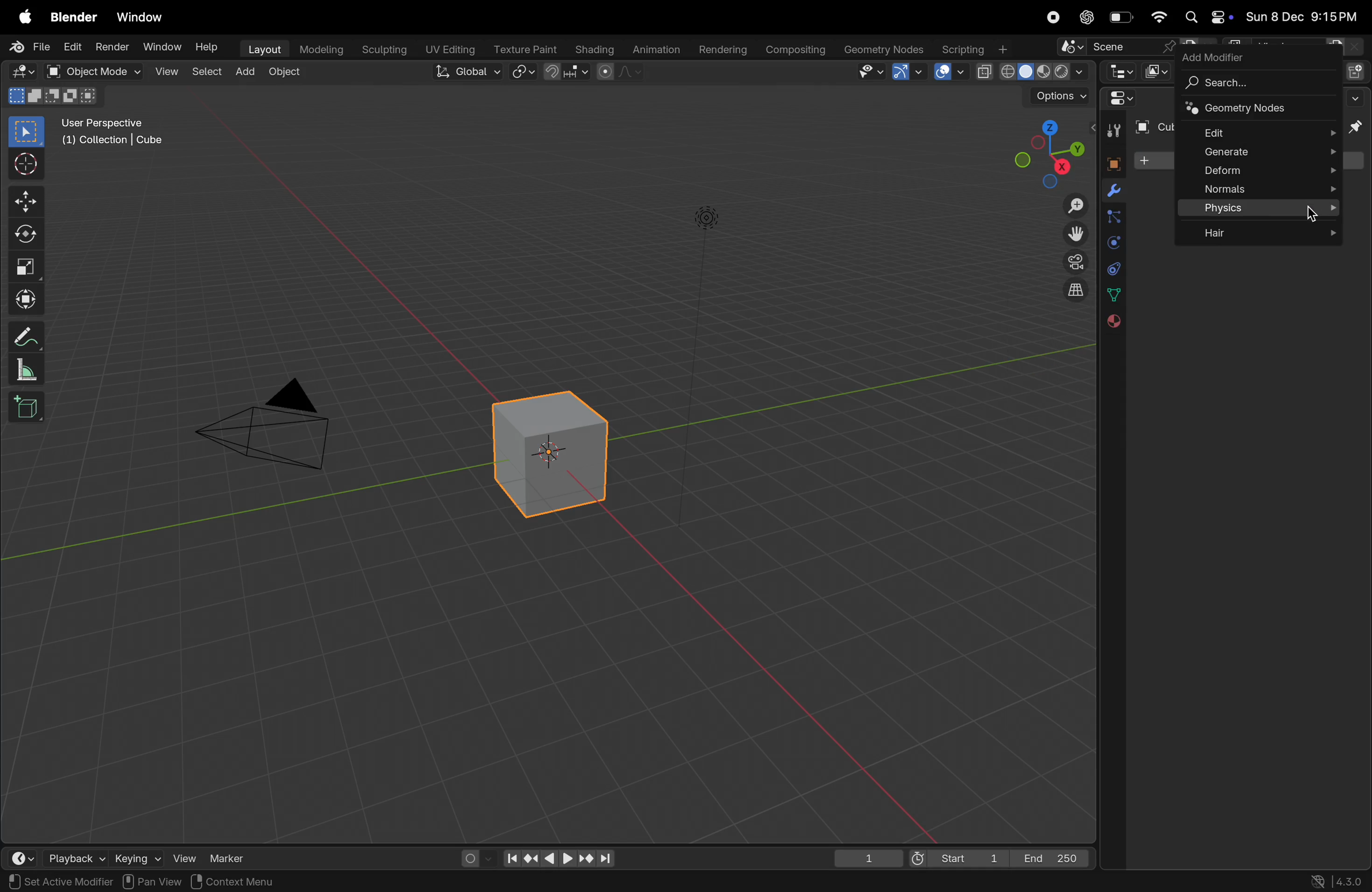  I want to click on battery, so click(1122, 20).